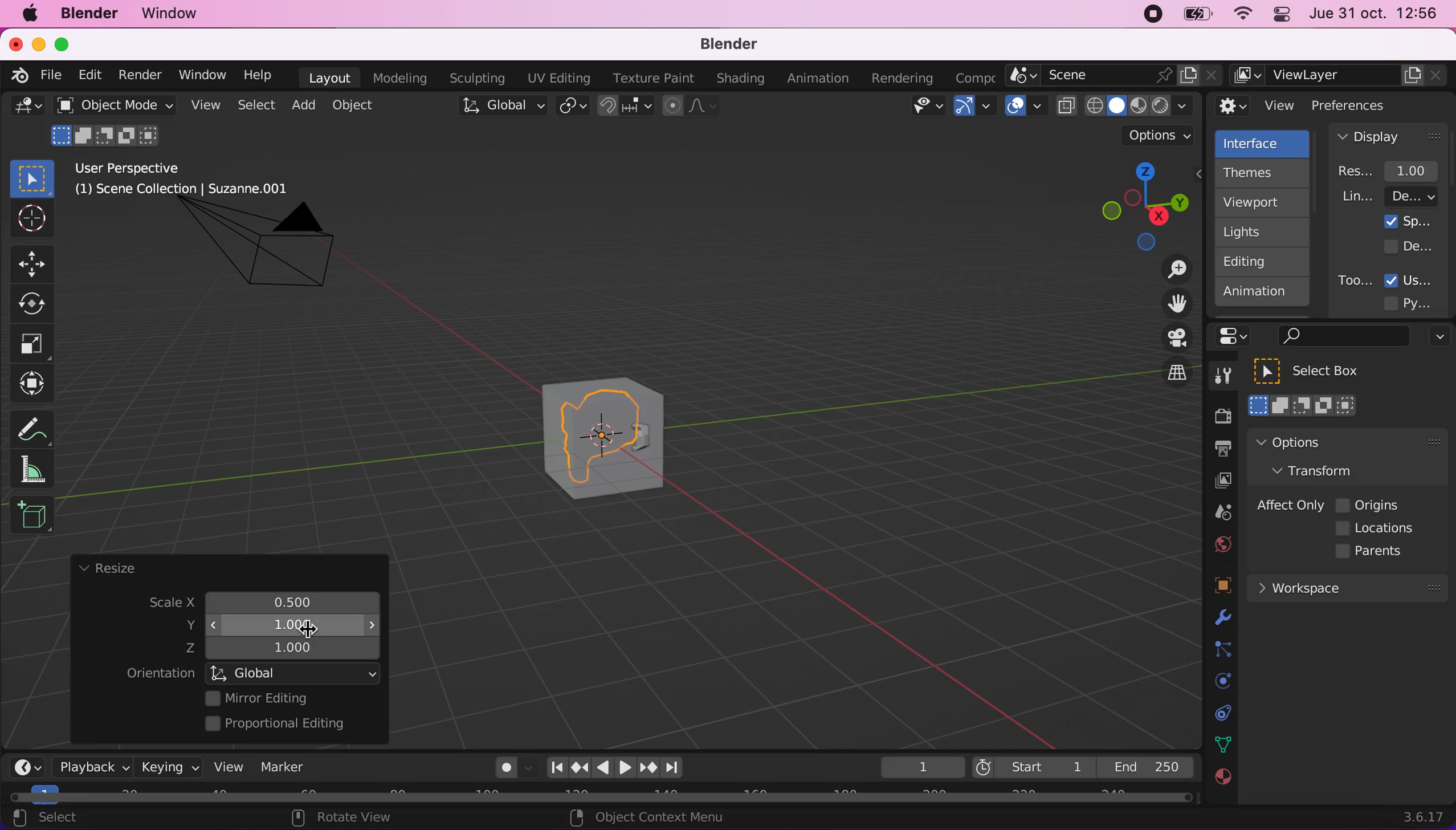  Describe the element at coordinates (1141, 206) in the screenshot. I see `click, shortcut, drag` at that location.